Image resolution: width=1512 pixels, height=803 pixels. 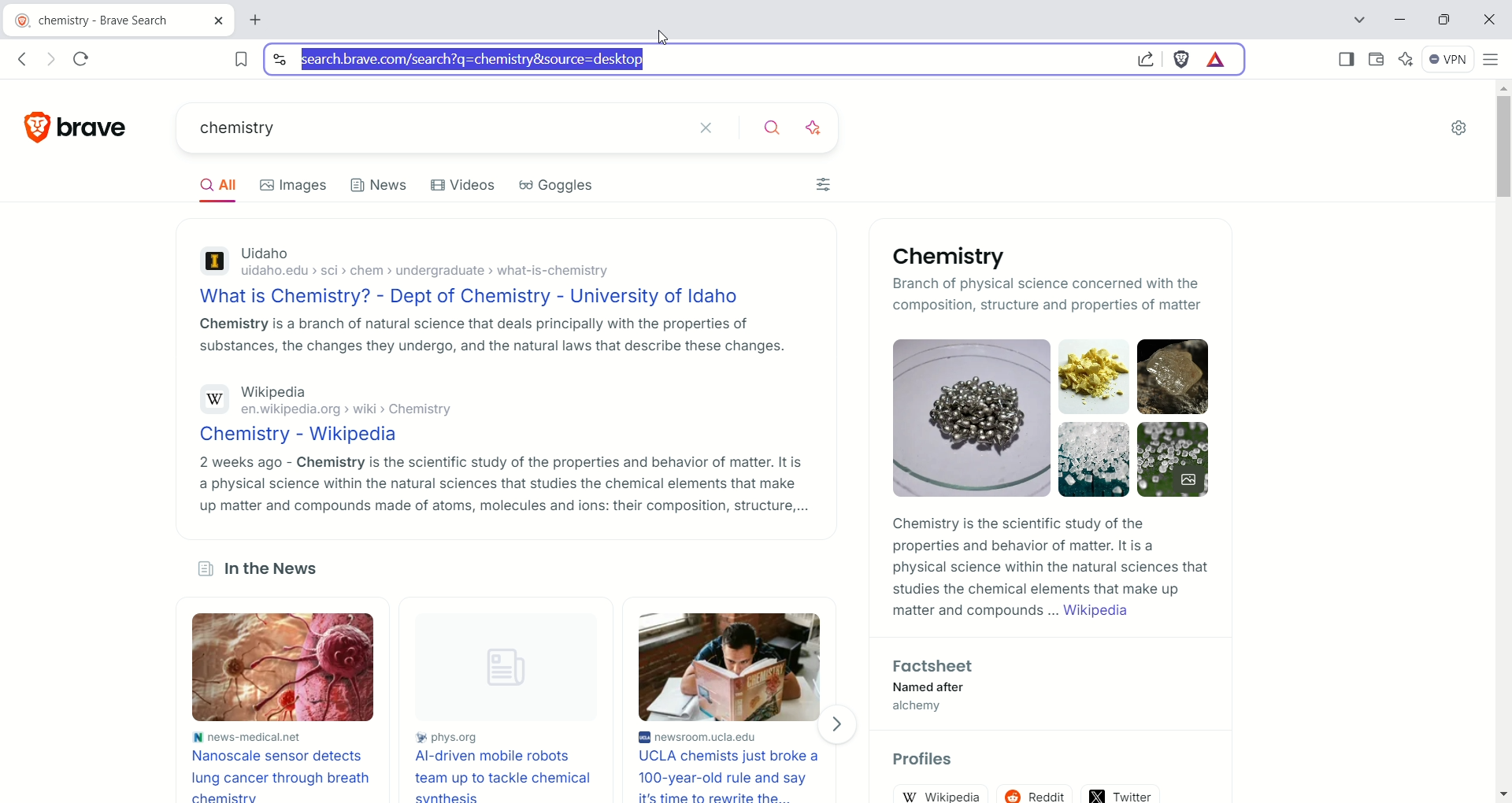 What do you see at coordinates (380, 189) in the screenshot?
I see `News` at bounding box center [380, 189].